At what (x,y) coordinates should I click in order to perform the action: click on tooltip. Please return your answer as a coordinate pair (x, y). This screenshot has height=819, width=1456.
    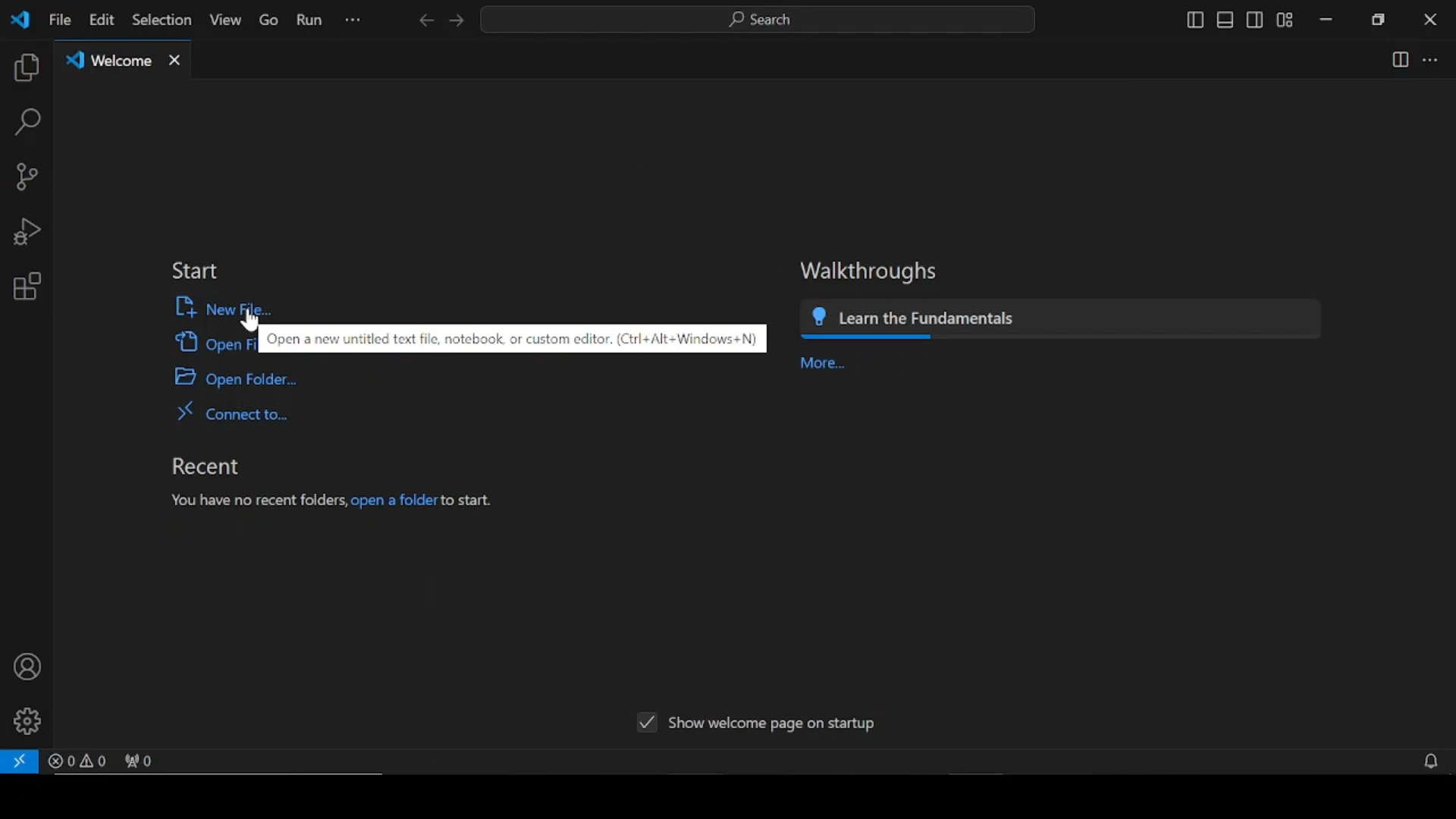
    Looking at the image, I should click on (516, 338).